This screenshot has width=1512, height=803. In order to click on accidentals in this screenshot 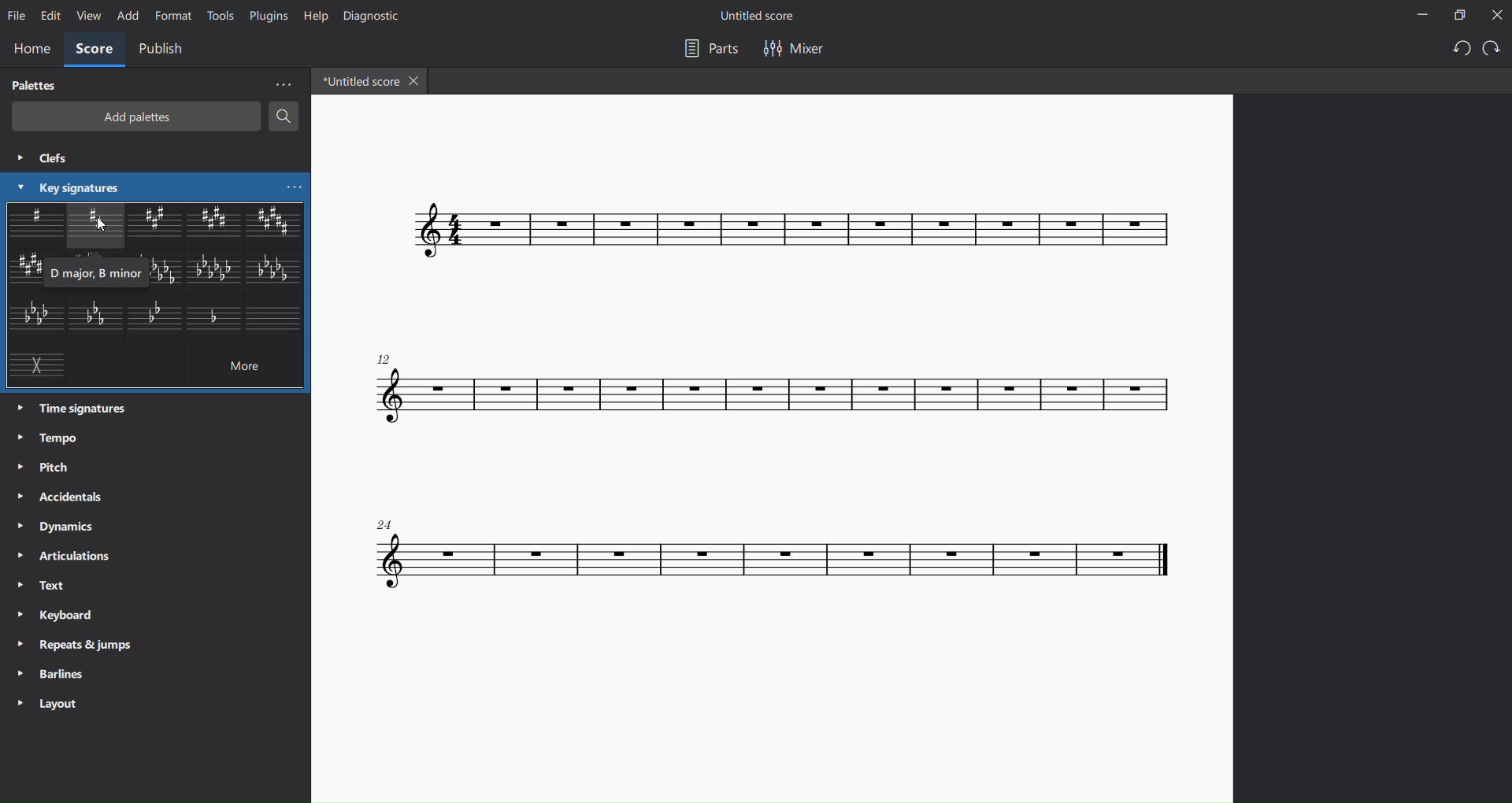, I will do `click(65, 497)`.